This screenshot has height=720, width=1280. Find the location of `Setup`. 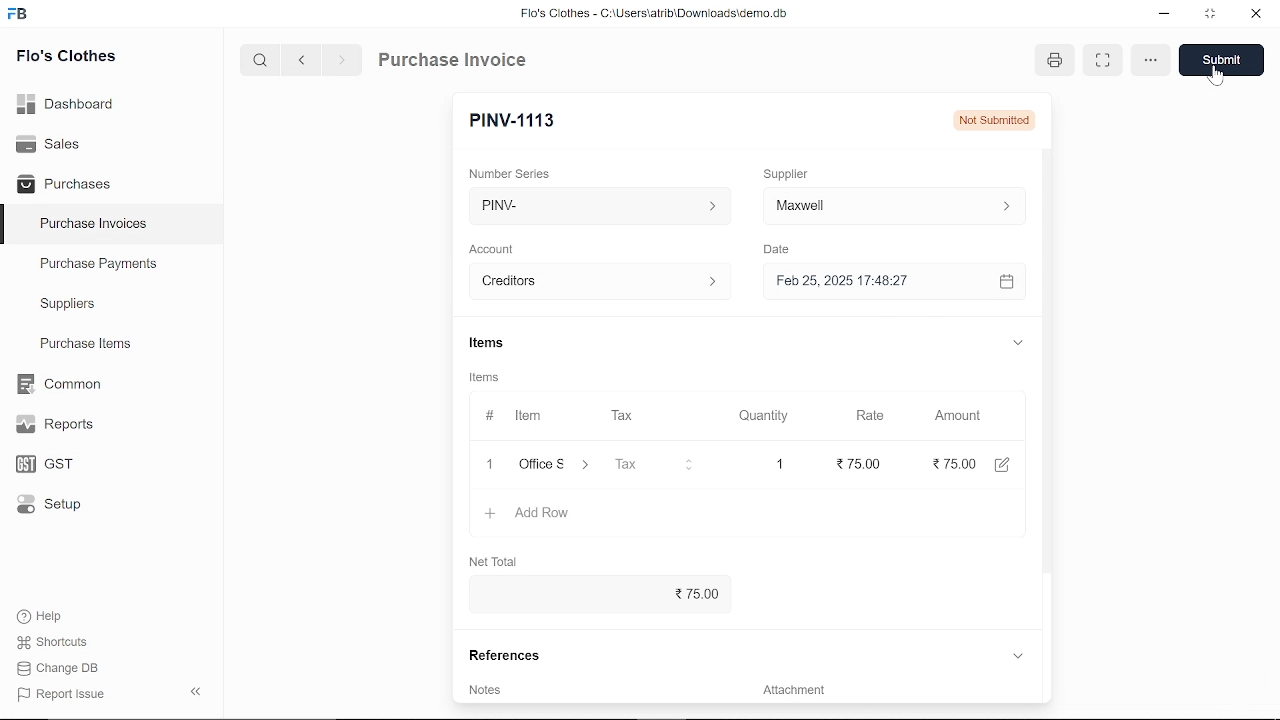

Setup is located at coordinates (44, 508).